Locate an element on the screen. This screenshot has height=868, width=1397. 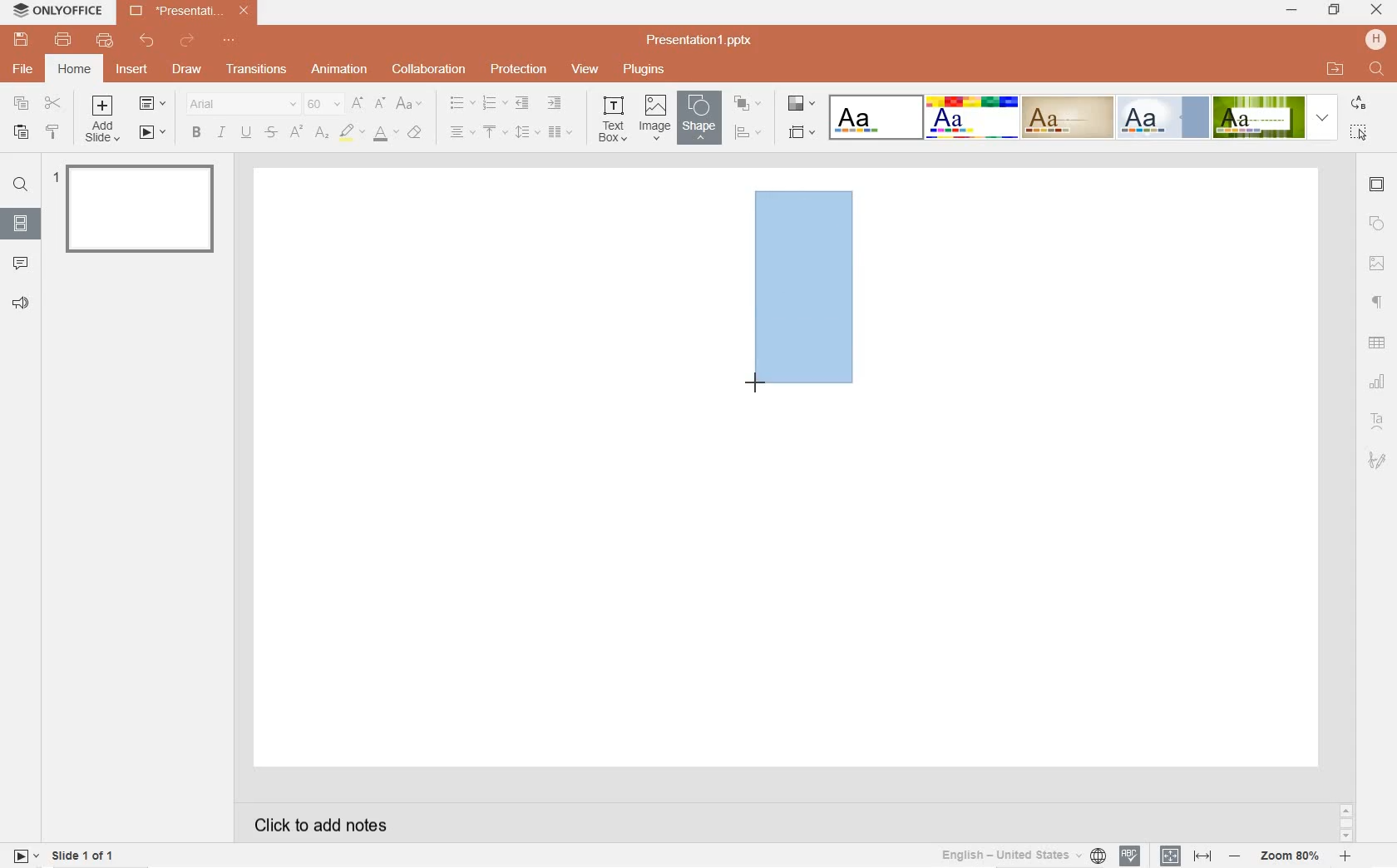
Zoom 80% is located at coordinates (1291, 857).